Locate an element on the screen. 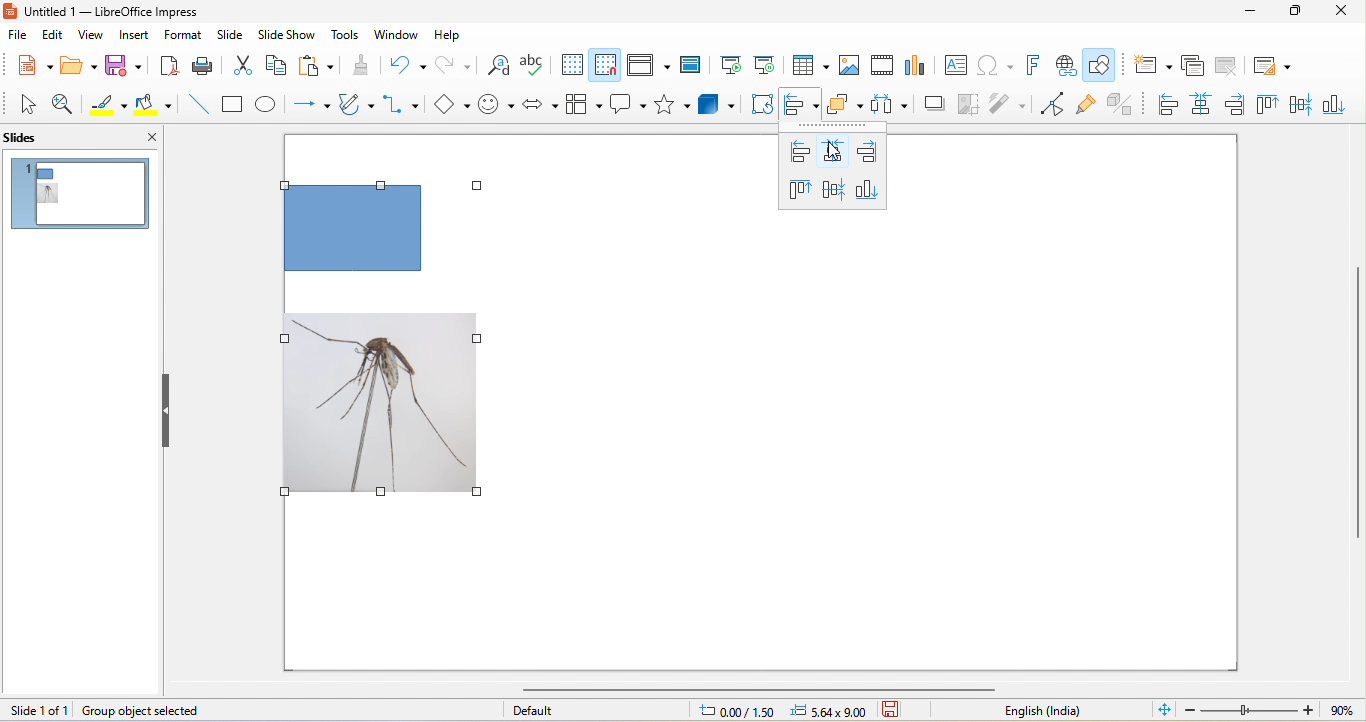 This screenshot has width=1366, height=722. slides is located at coordinates (41, 139).